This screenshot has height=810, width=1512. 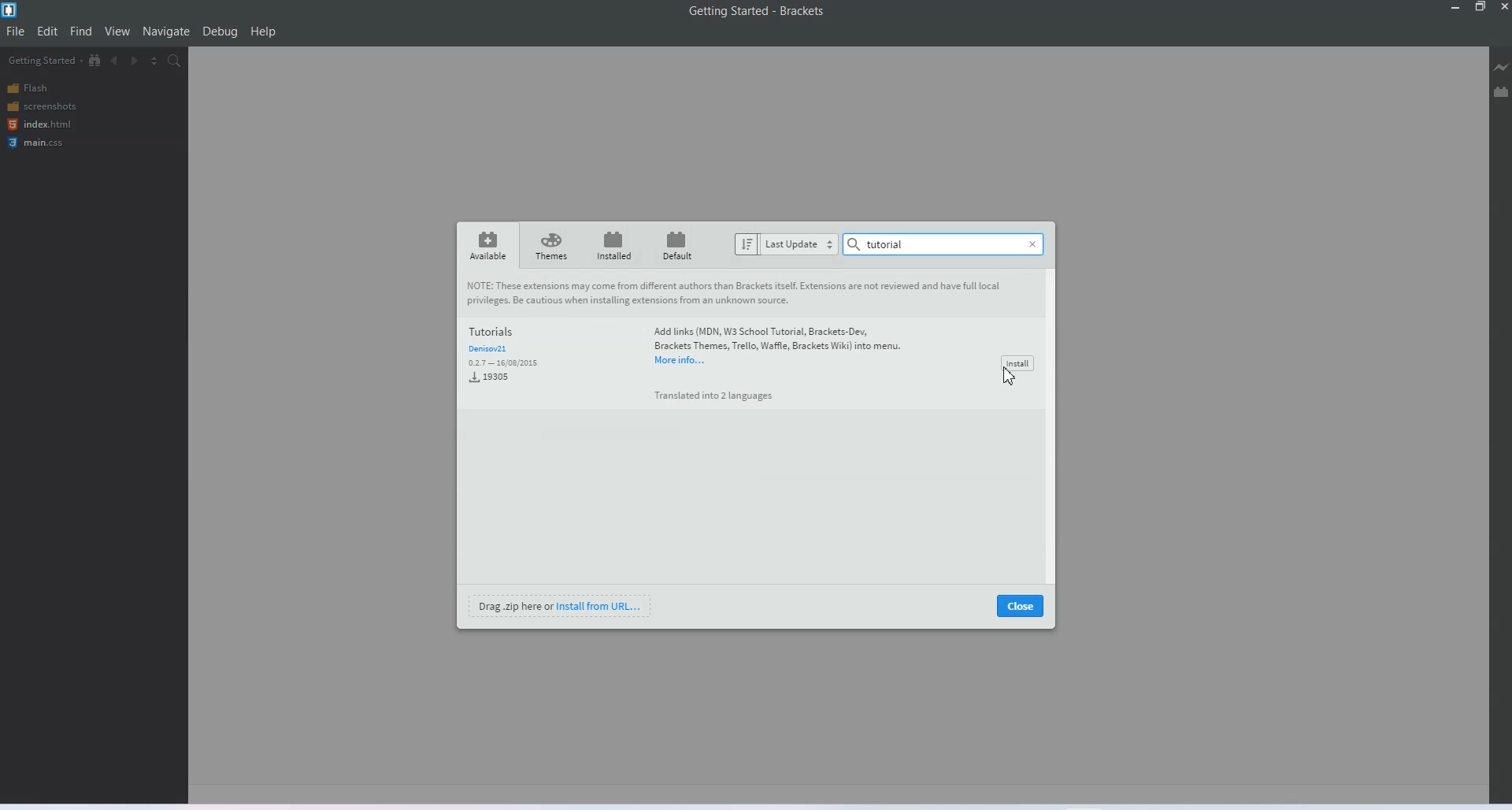 I want to click on Tutorial, so click(x=883, y=244).